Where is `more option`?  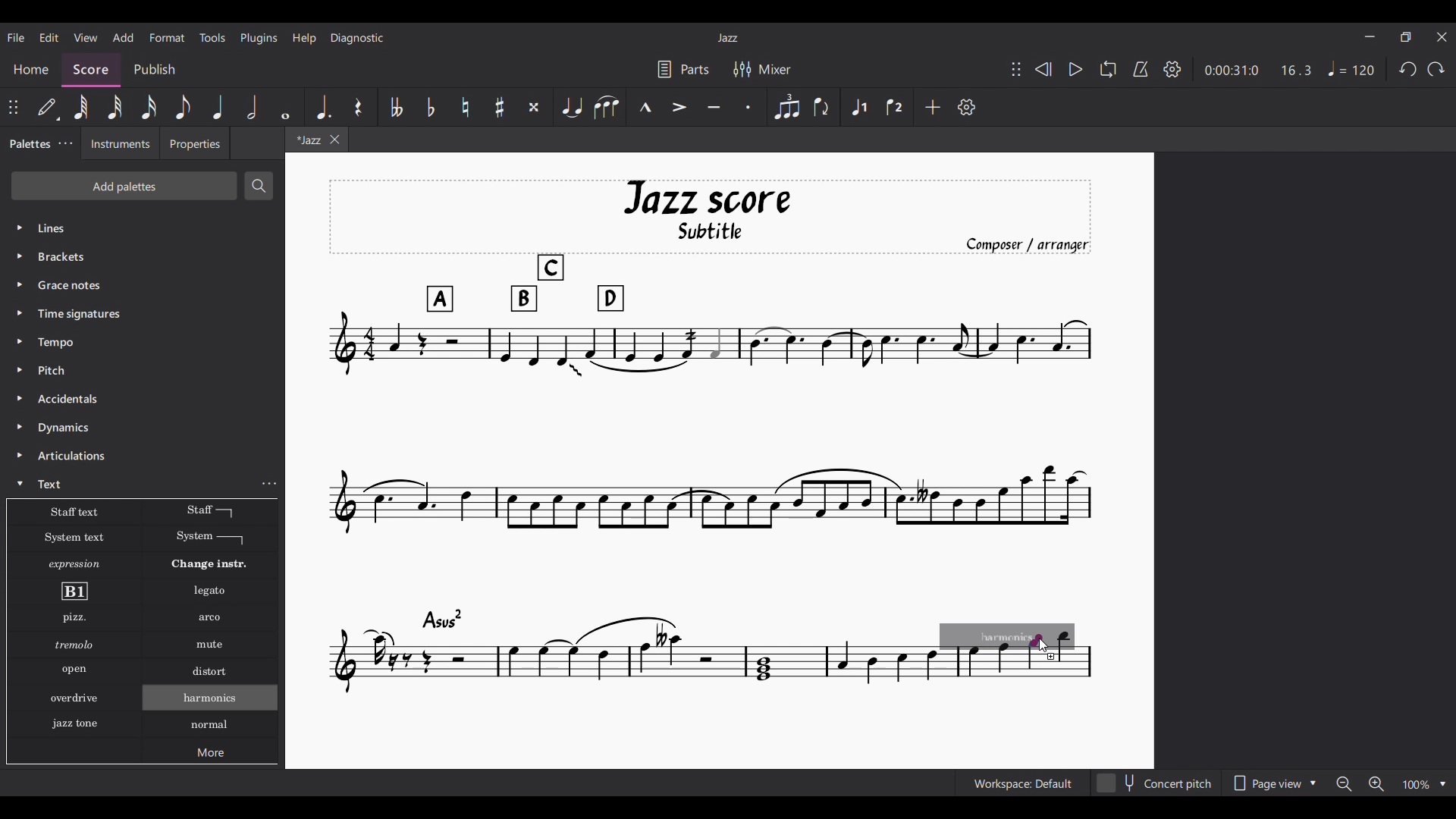
more option is located at coordinates (271, 484).